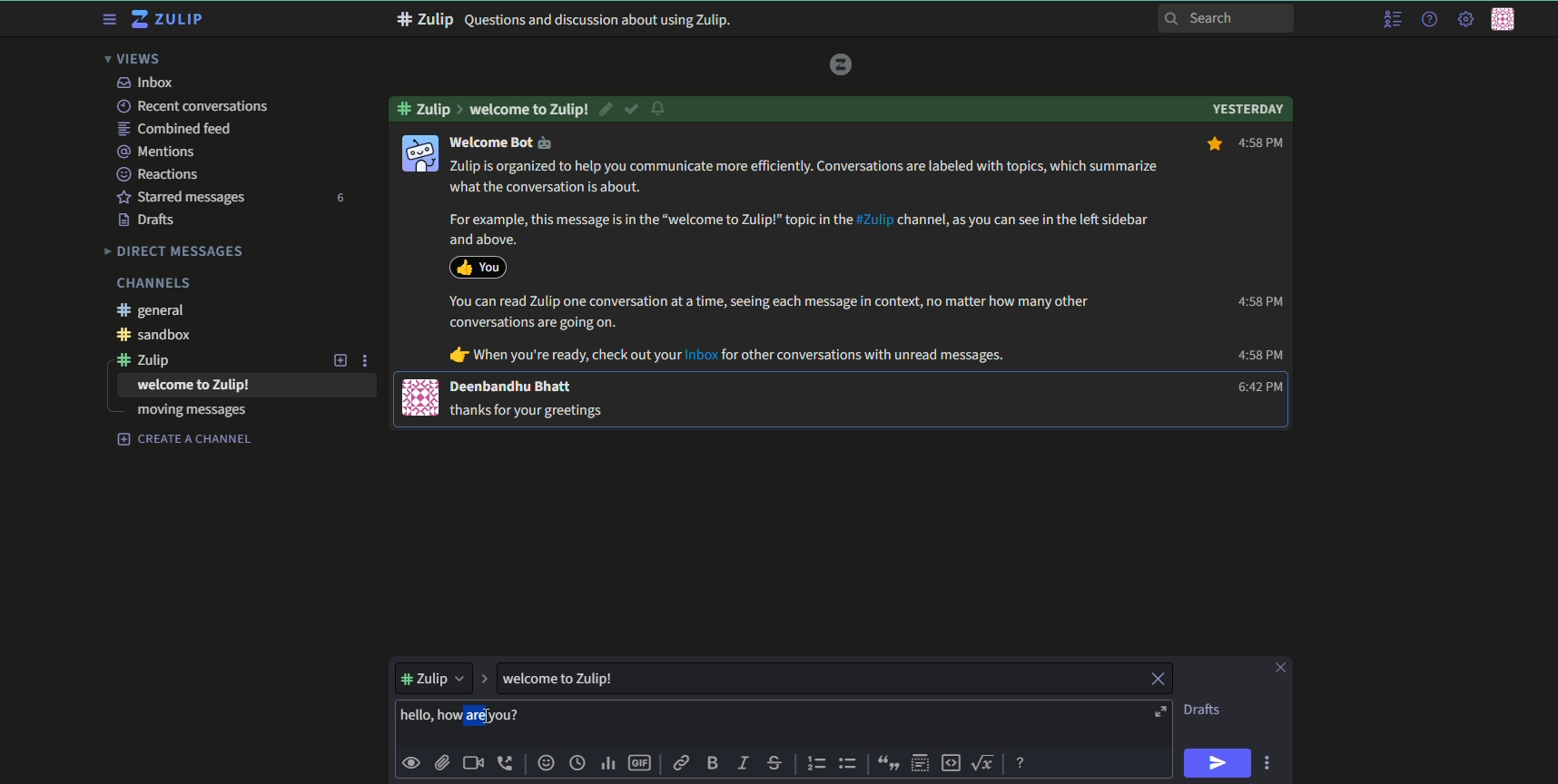 The height and width of the screenshot is (784, 1558). Describe the element at coordinates (775, 763) in the screenshot. I see `strikethrough` at that location.